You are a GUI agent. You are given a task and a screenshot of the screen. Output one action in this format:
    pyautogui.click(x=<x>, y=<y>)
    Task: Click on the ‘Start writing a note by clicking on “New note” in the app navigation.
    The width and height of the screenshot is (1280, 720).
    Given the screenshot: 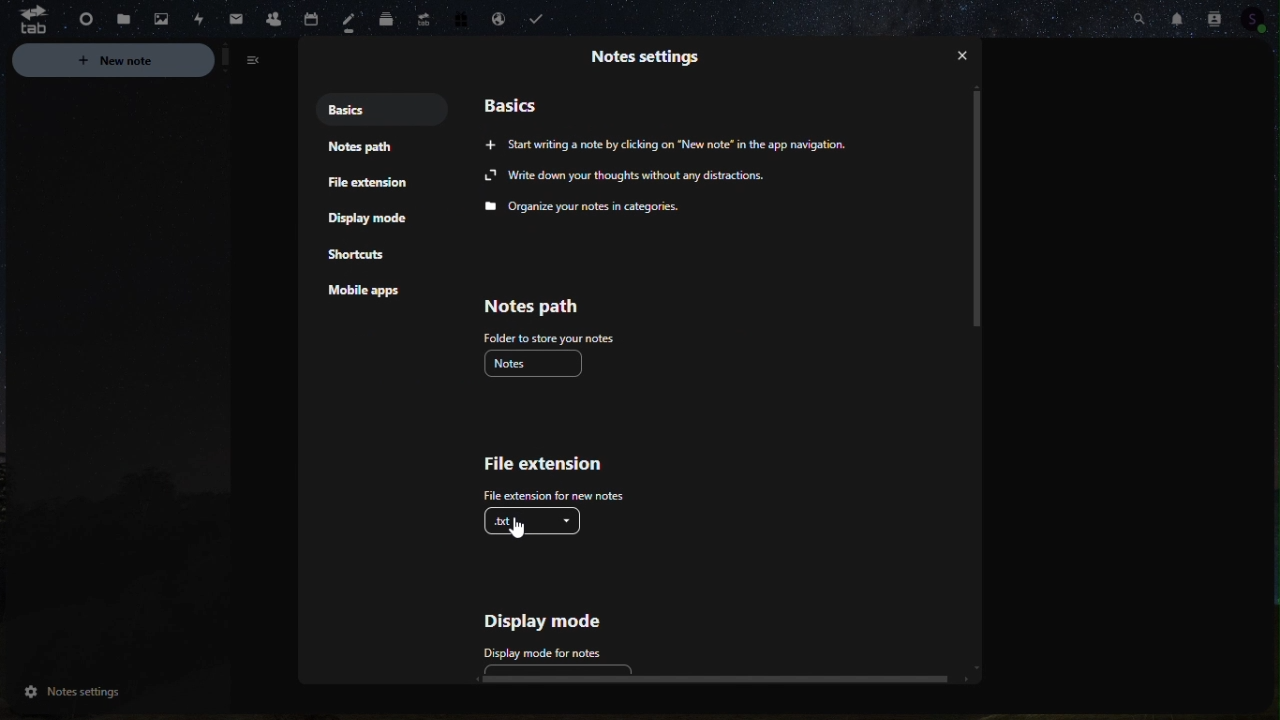 What is the action you would take?
    pyautogui.click(x=665, y=143)
    